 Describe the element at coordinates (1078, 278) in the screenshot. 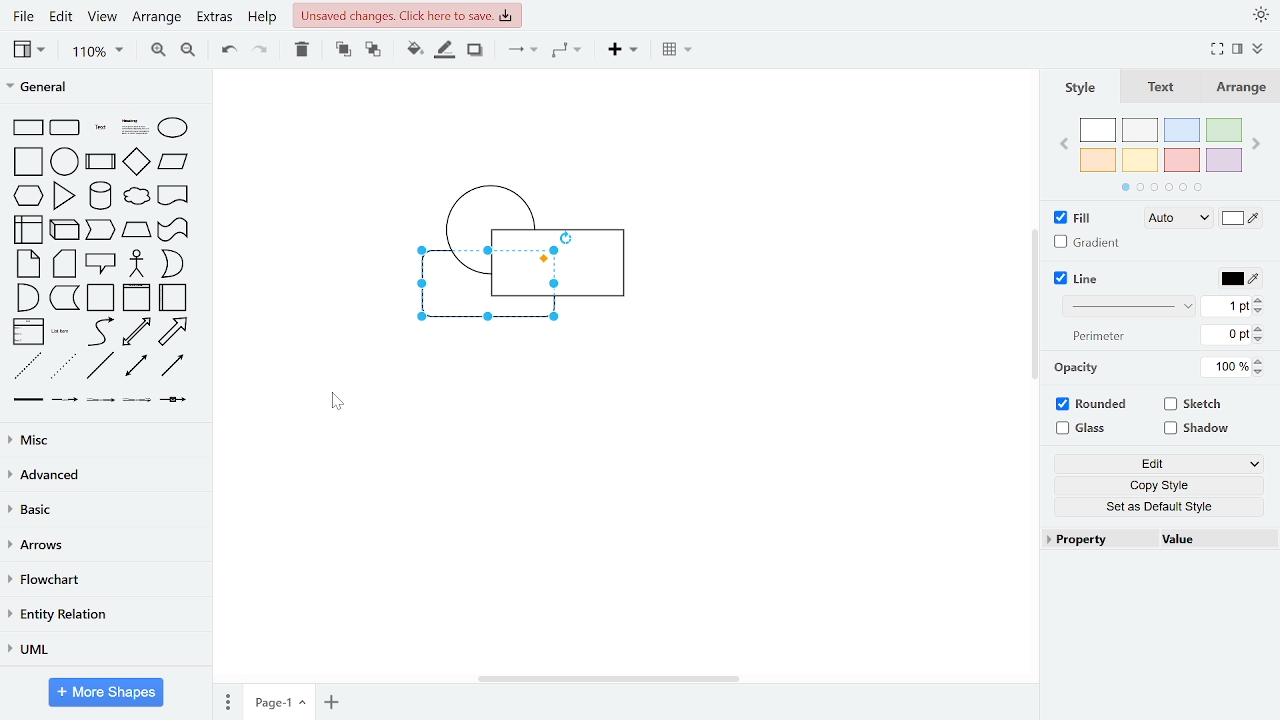

I see `line` at that location.